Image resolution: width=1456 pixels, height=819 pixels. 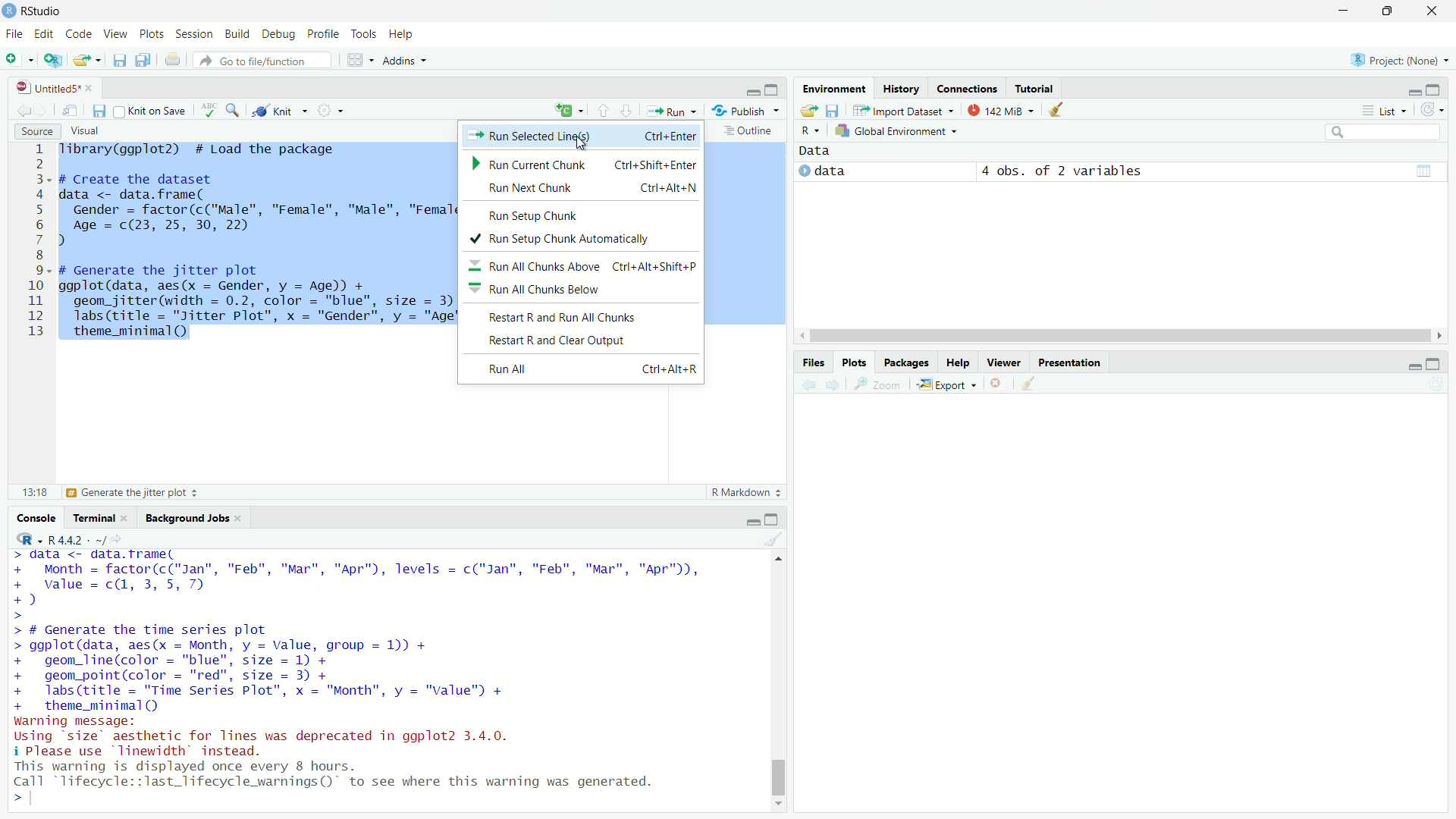 I want to click on minimize, so click(x=751, y=520).